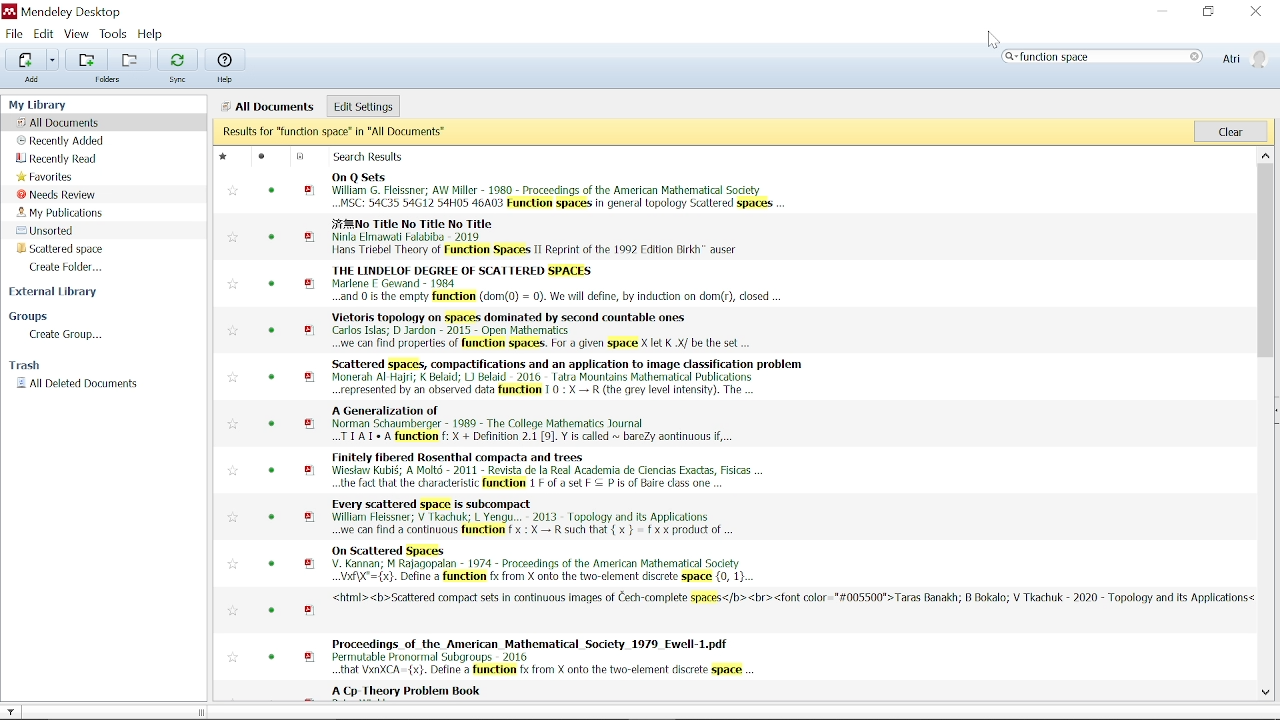 The image size is (1280, 720). Describe the element at coordinates (230, 155) in the screenshot. I see `Marked as favorite` at that location.